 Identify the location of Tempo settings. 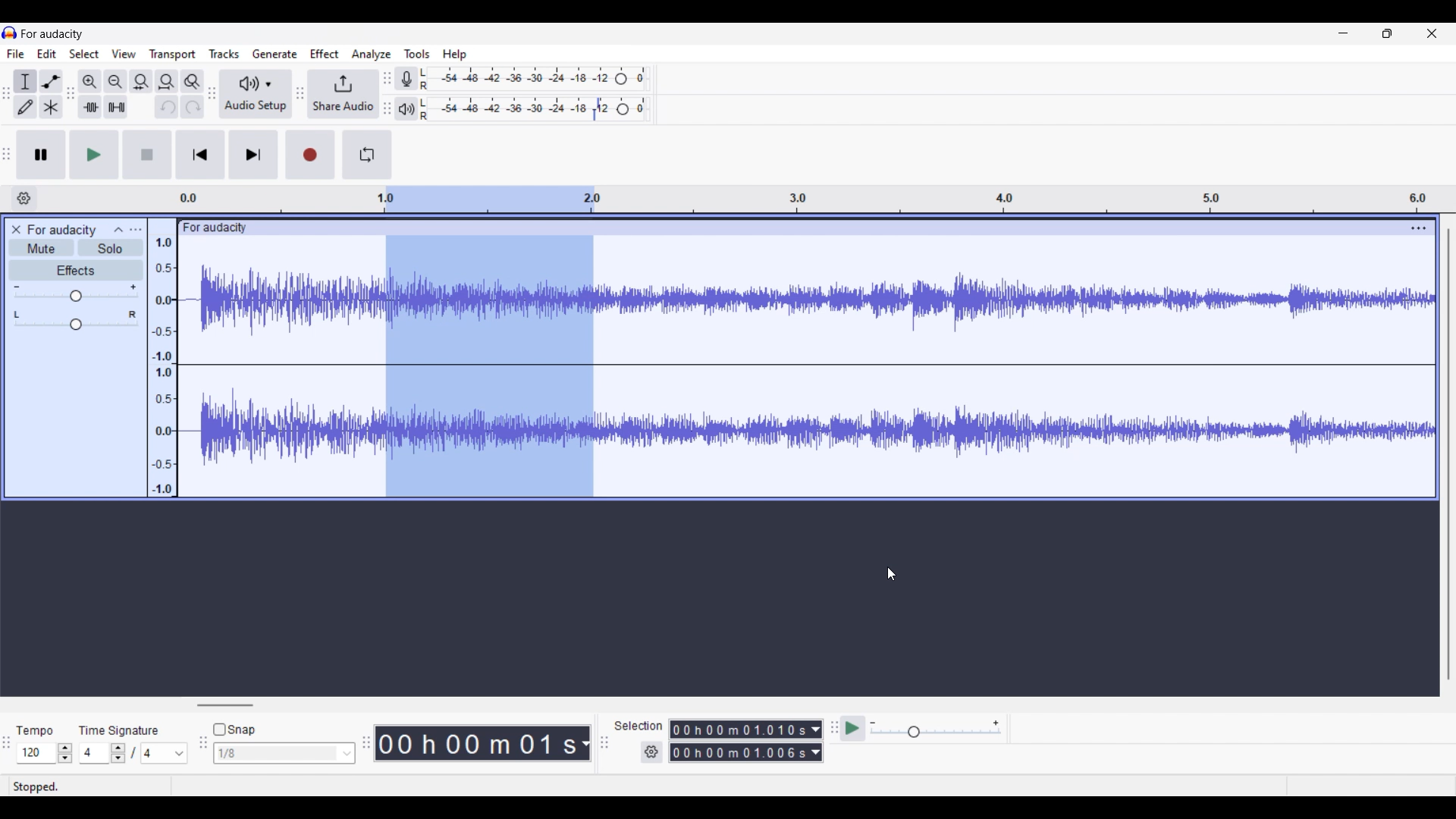
(45, 753).